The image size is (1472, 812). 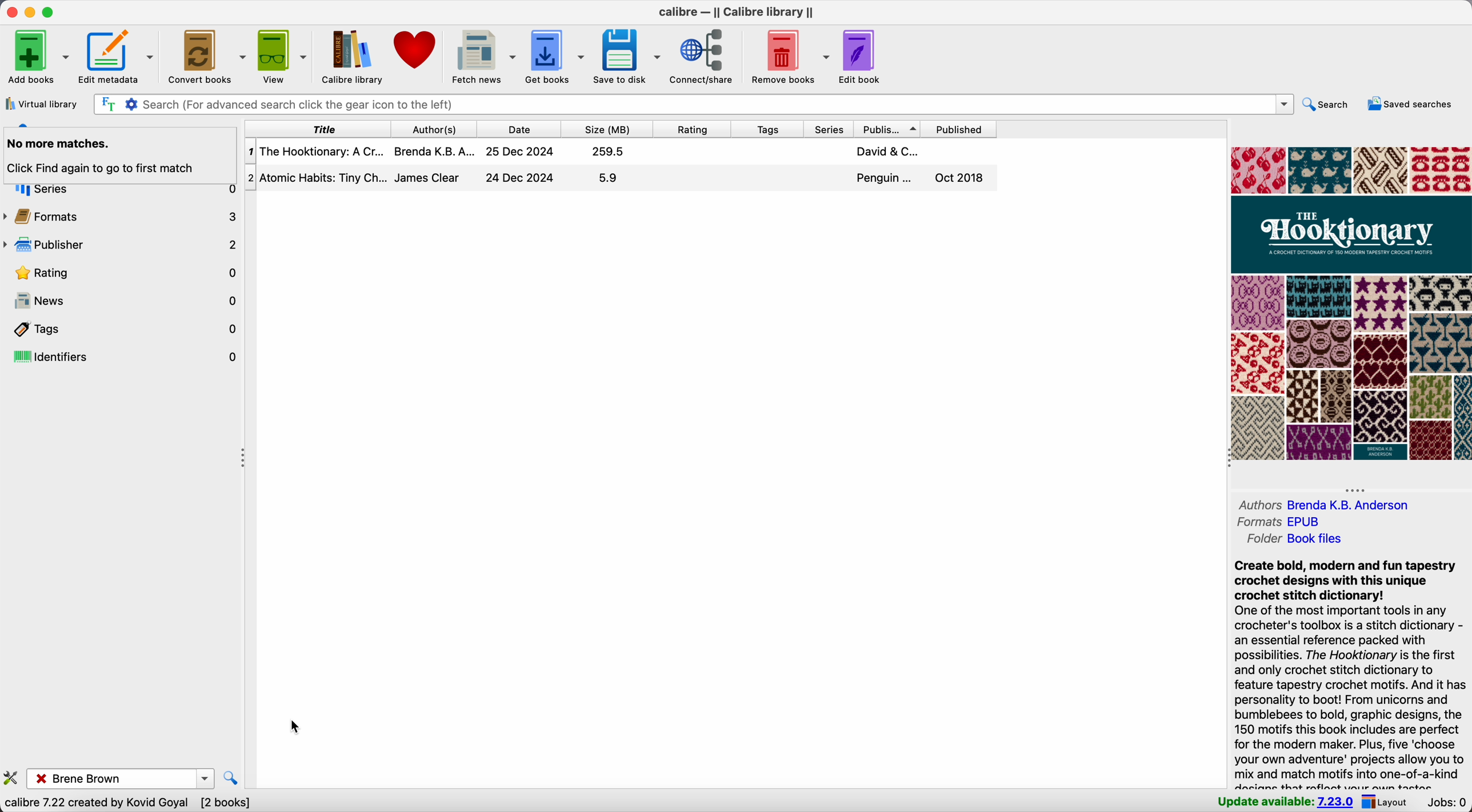 What do you see at coordinates (440, 129) in the screenshot?
I see `author(s)` at bounding box center [440, 129].